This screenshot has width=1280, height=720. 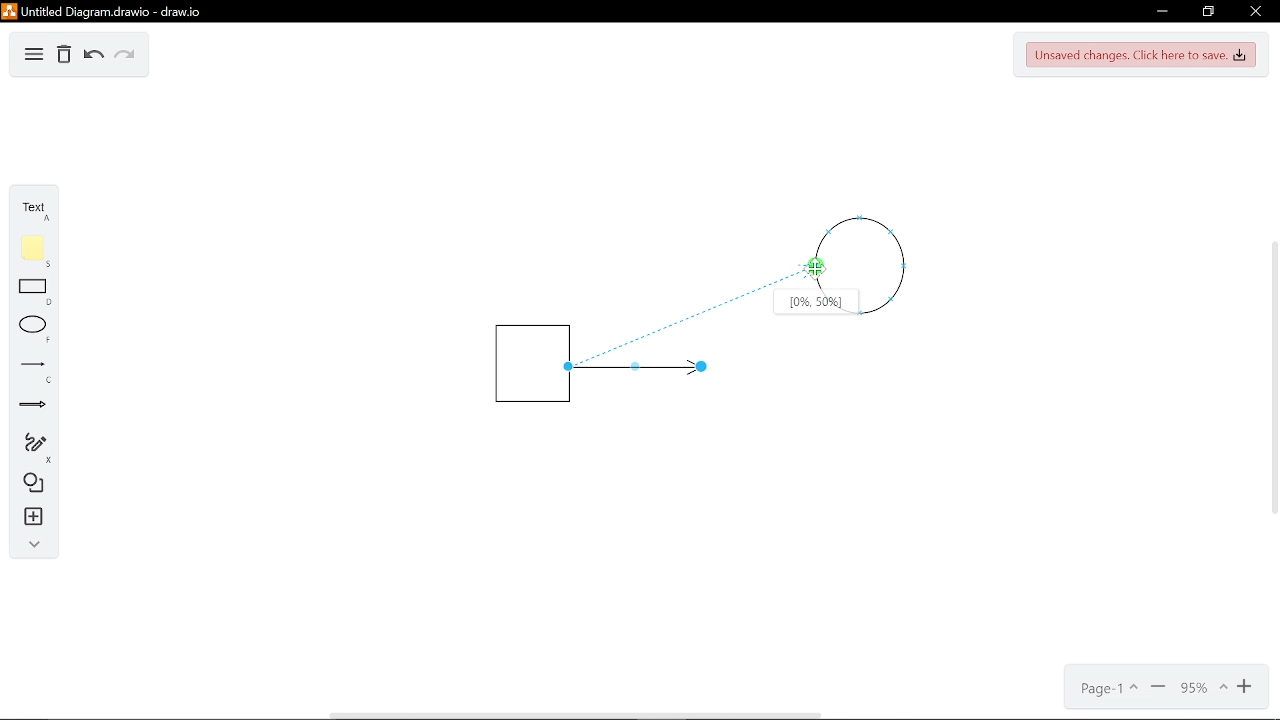 I want to click on Line arrow insterted, so click(x=643, y=375).